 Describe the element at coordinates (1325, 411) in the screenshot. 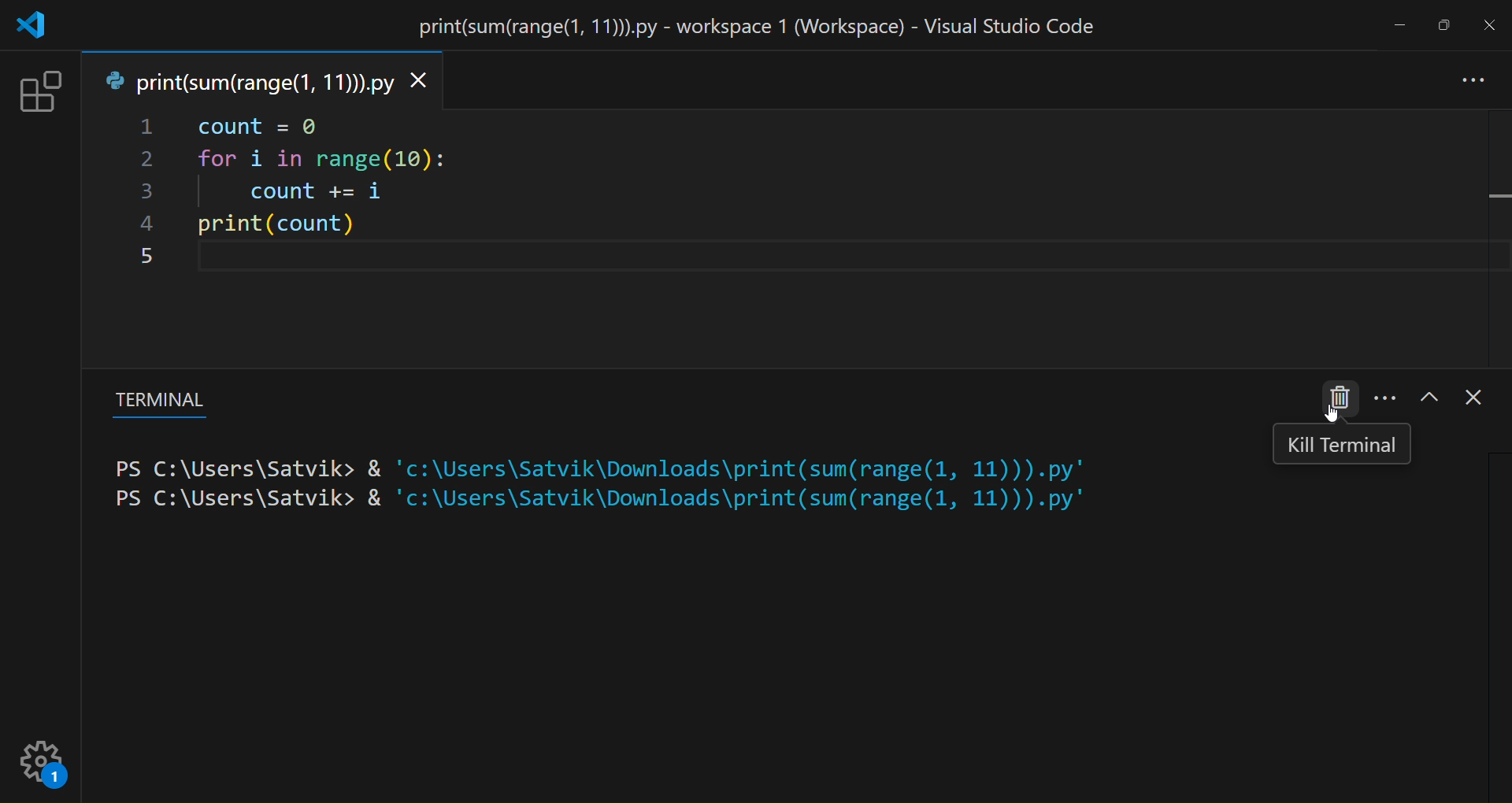

I see `cursor` at that location.